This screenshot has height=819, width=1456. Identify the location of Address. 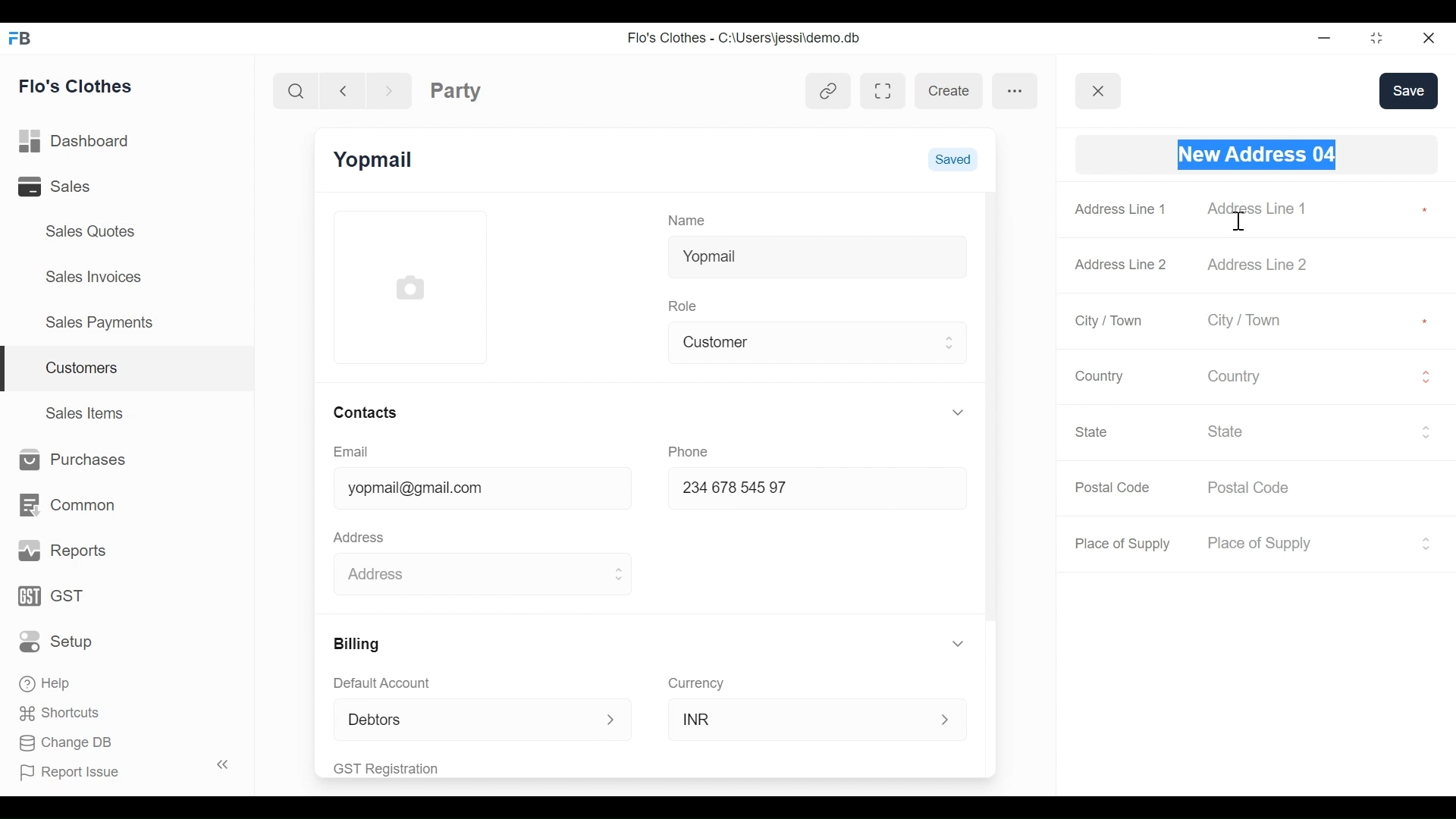
(465, 571).